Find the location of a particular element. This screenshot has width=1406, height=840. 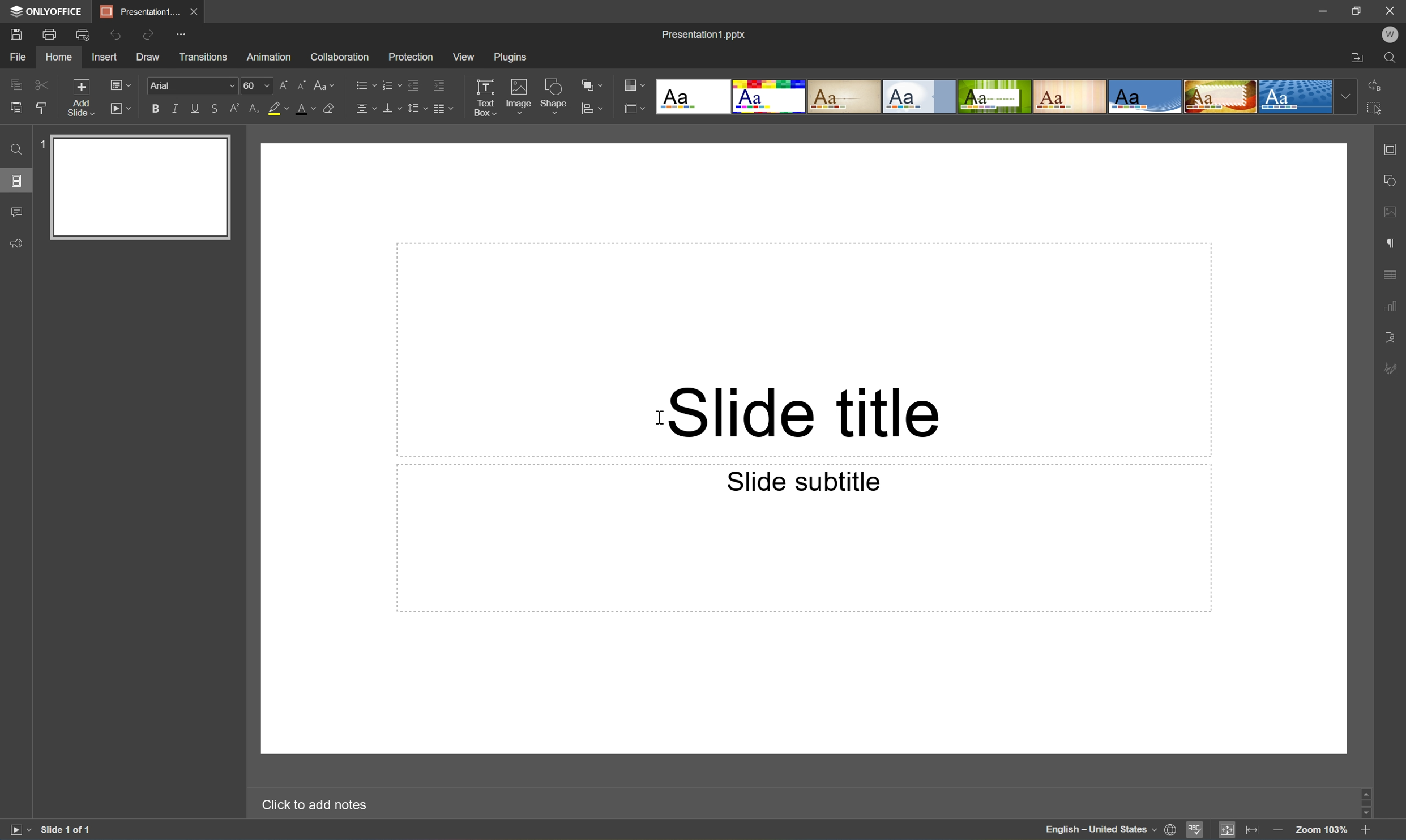

Start slideshow is located at coordinates (122, 109).